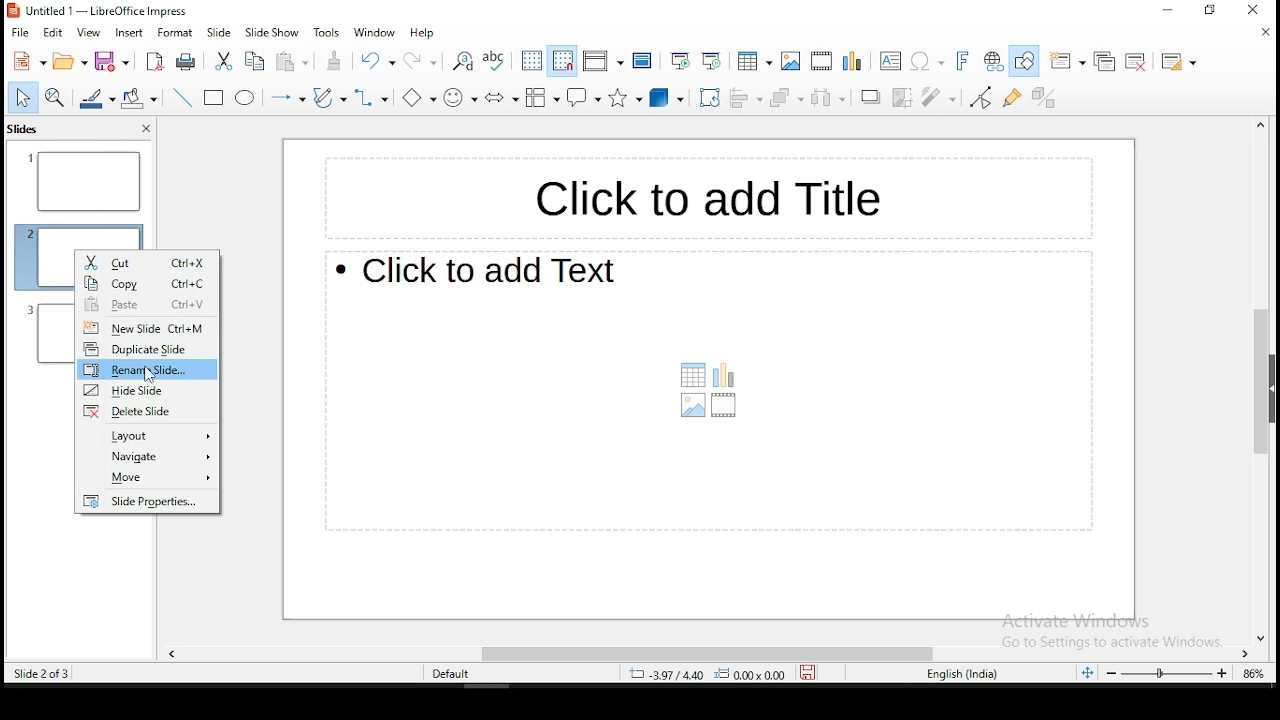 The width and height of the screenshot is (1280, 720). I want to click on  delete slide, so click(1136, 61).